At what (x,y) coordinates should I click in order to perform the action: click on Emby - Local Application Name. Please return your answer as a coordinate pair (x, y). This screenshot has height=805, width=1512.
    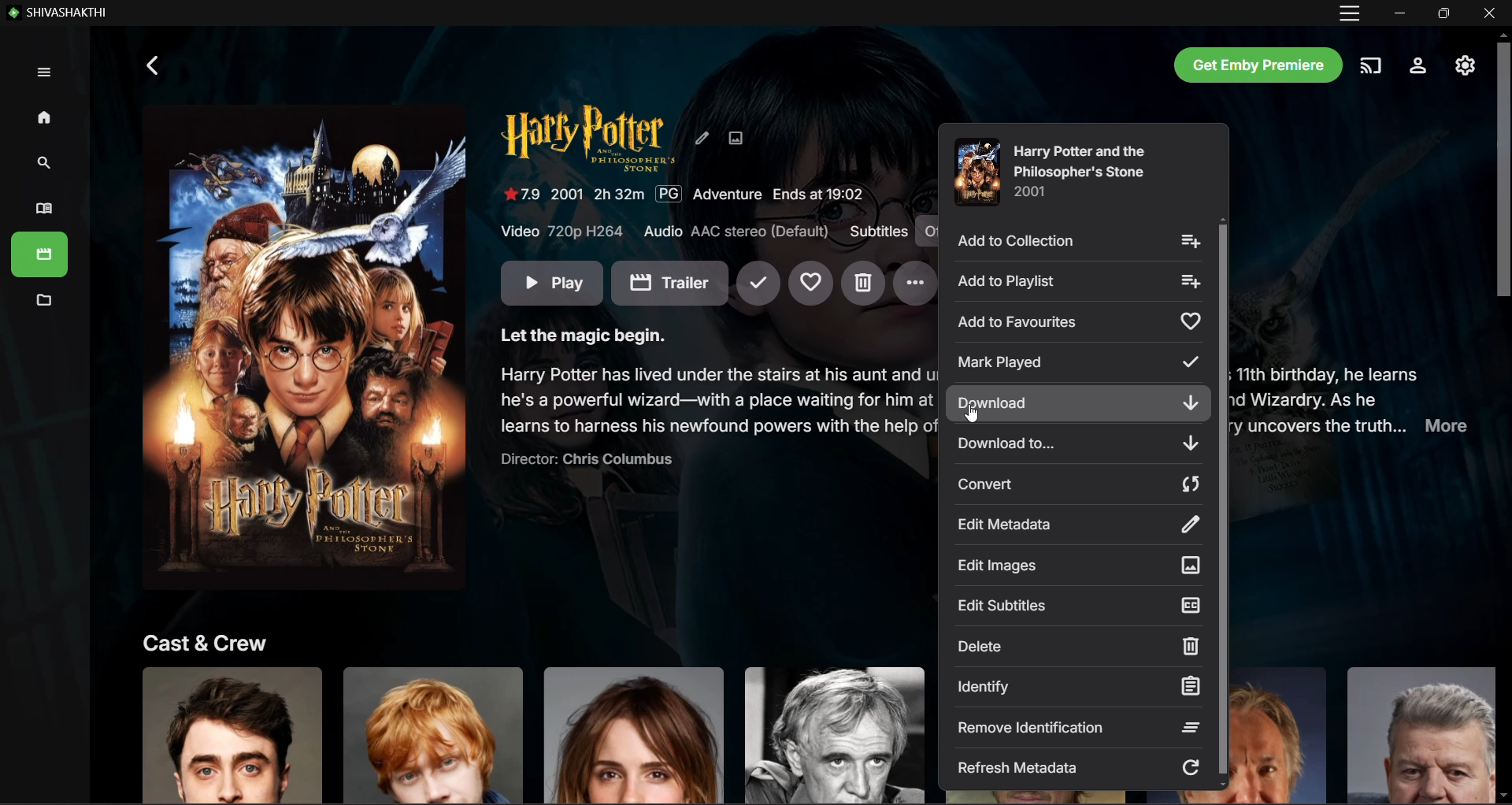
    Looking at the image, I should click on (61, 12).